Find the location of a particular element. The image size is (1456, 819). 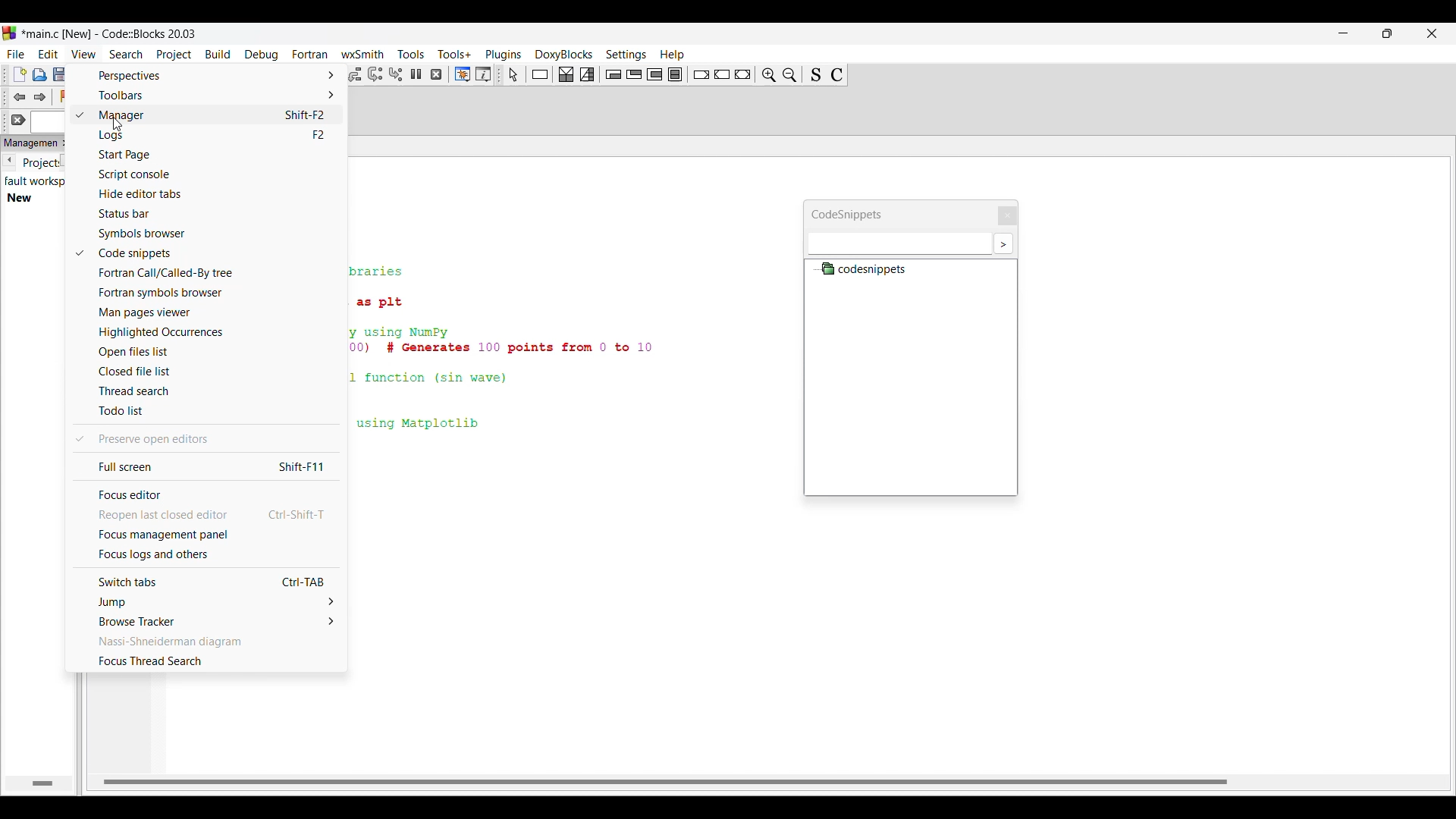

Minimize is located at coordinates (1344, 33).